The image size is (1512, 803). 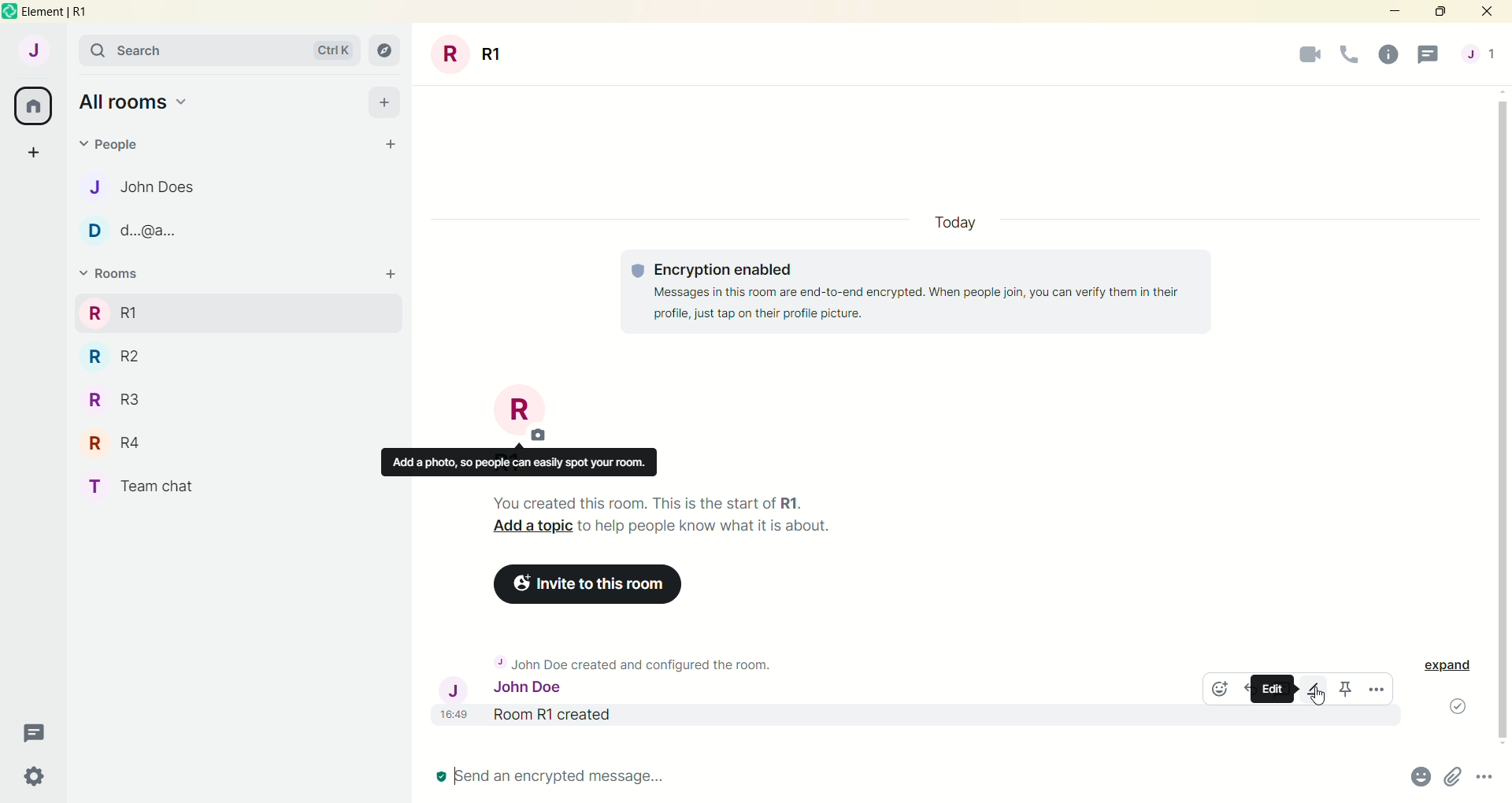 I want to click on maximize, so click(x=1440, y=13).